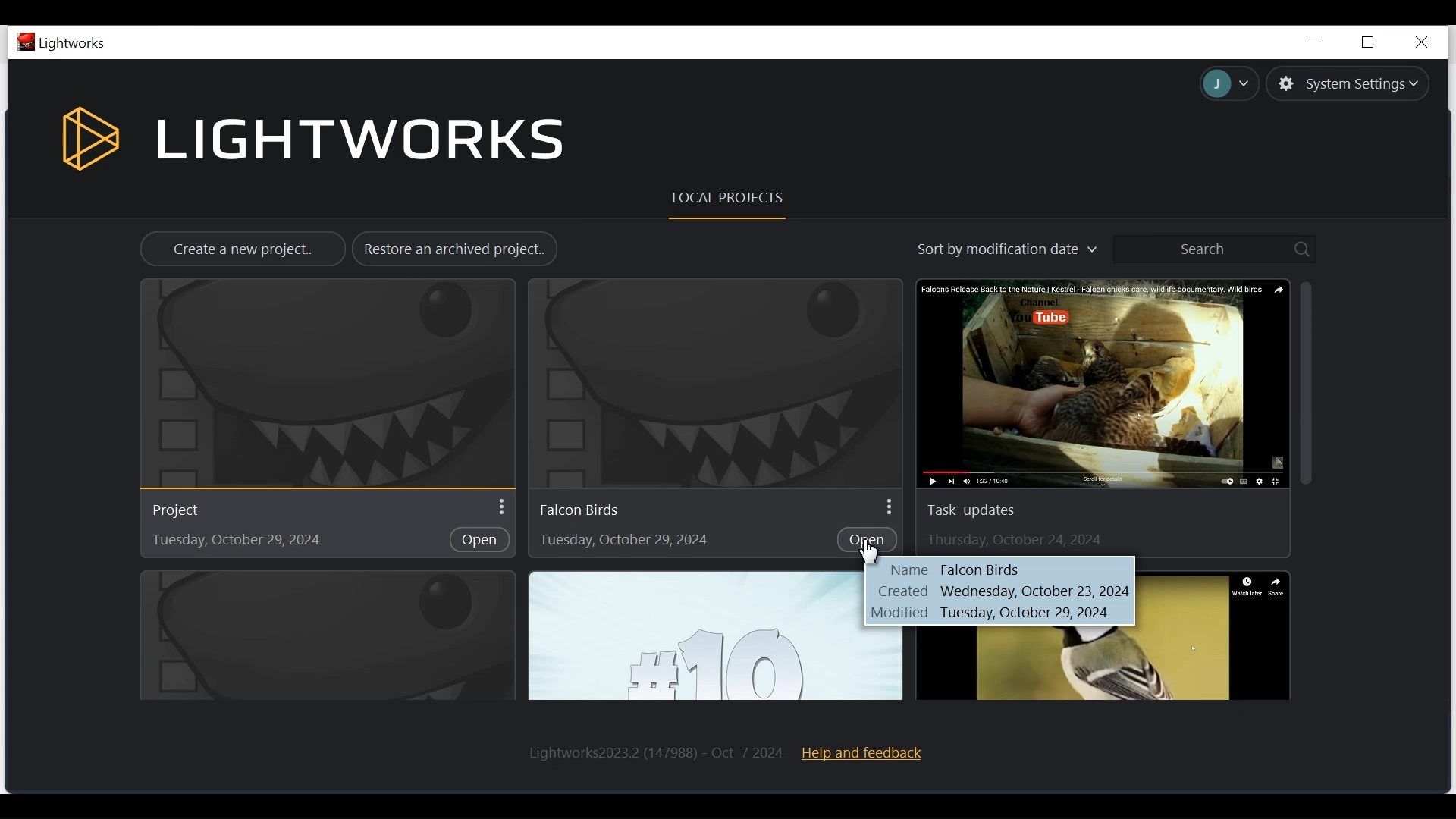 This screenshot has height=819, width=1456. Describe the element at coordinates (1223, 86) in the screenshot. I see `Acounts` at that location.